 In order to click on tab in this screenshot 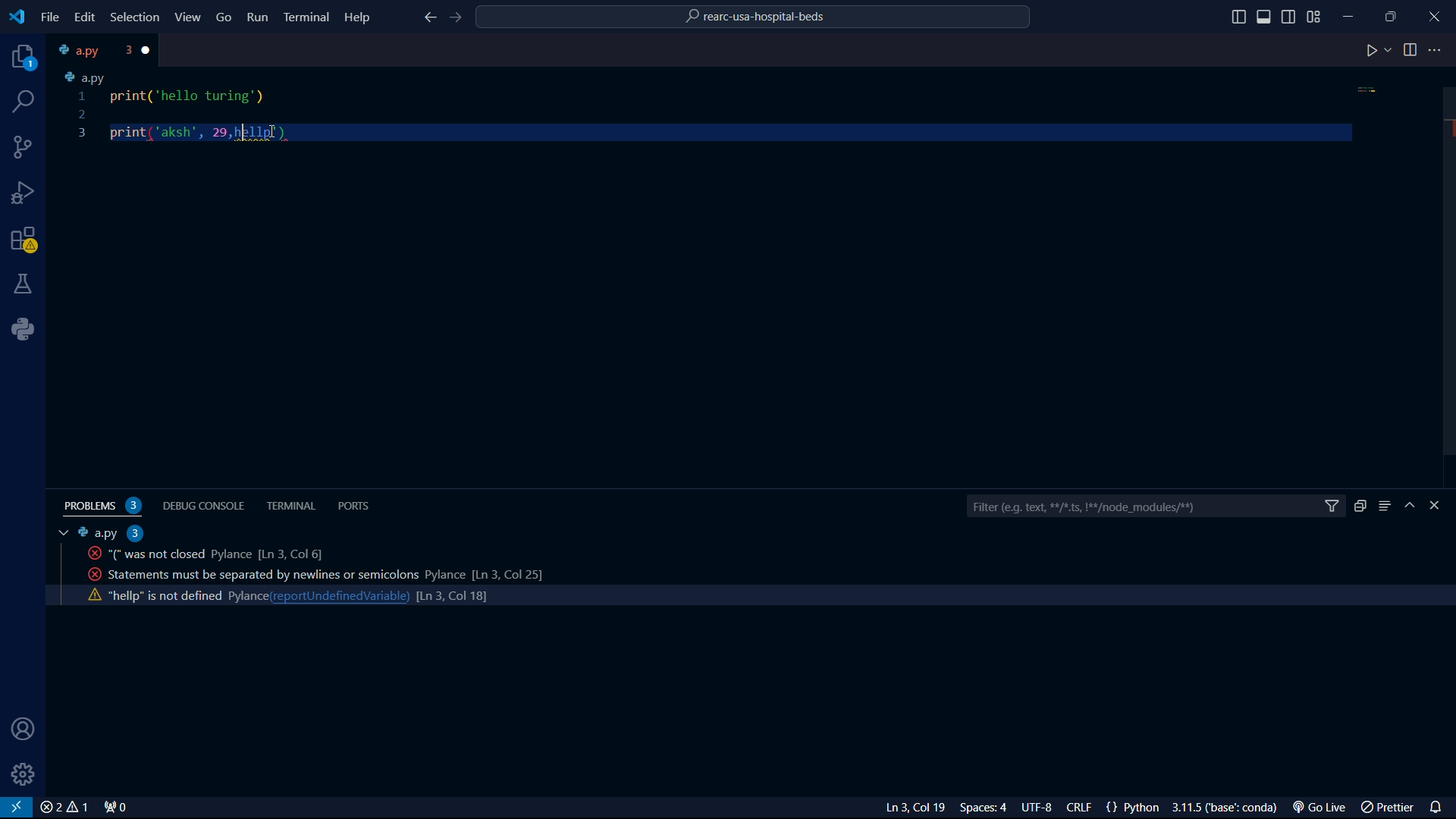, I will do `click(92, 50)`.